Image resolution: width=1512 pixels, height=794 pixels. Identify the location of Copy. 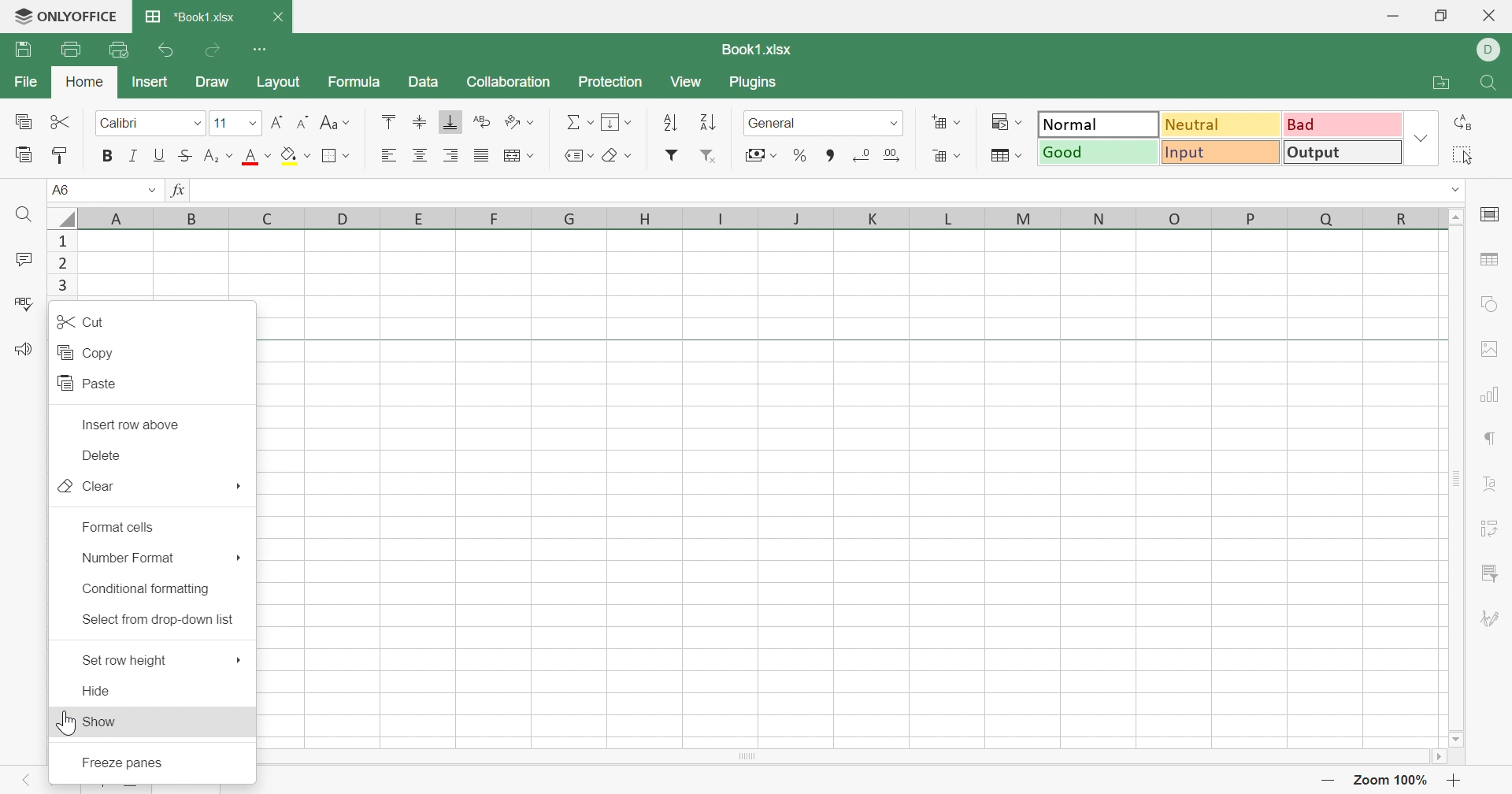
(26, 122).